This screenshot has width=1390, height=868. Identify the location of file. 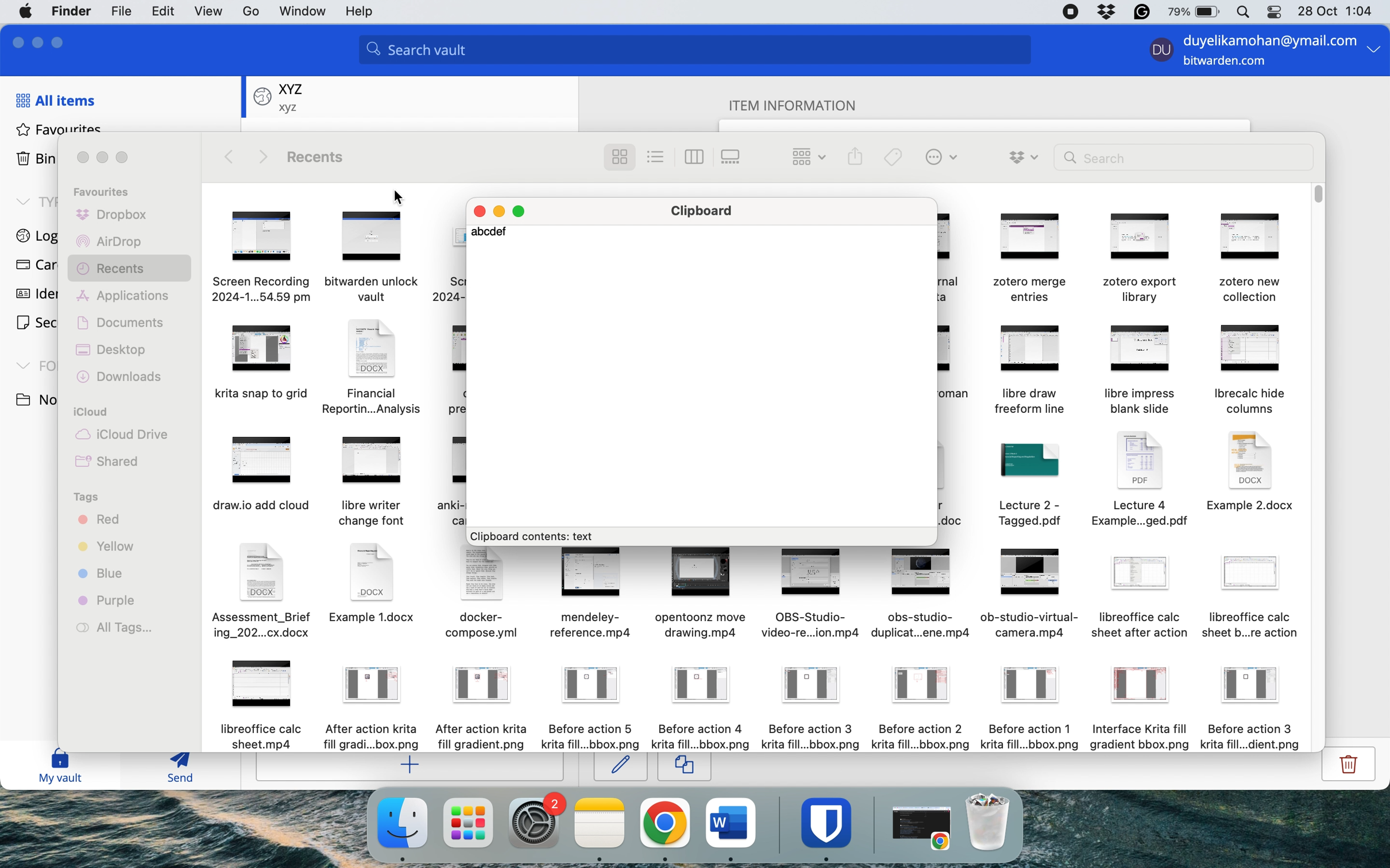
(119, 12).